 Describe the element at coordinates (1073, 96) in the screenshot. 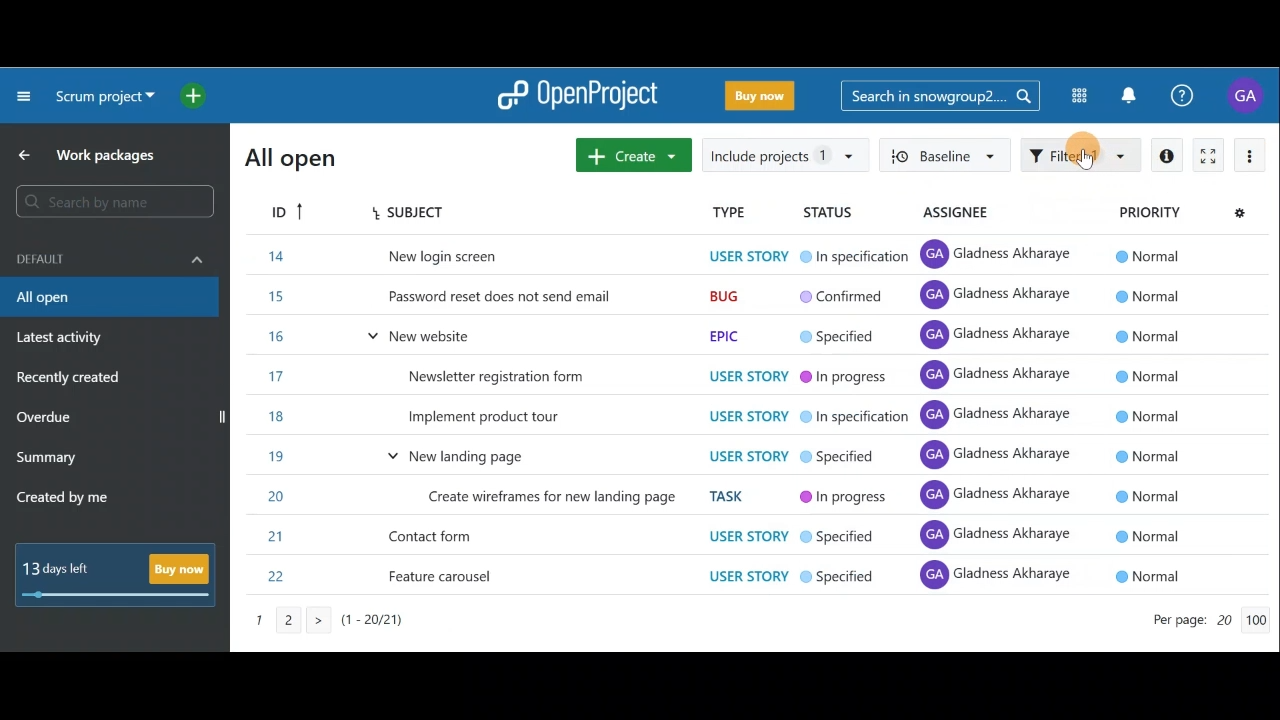

I see `Modules` at that location.